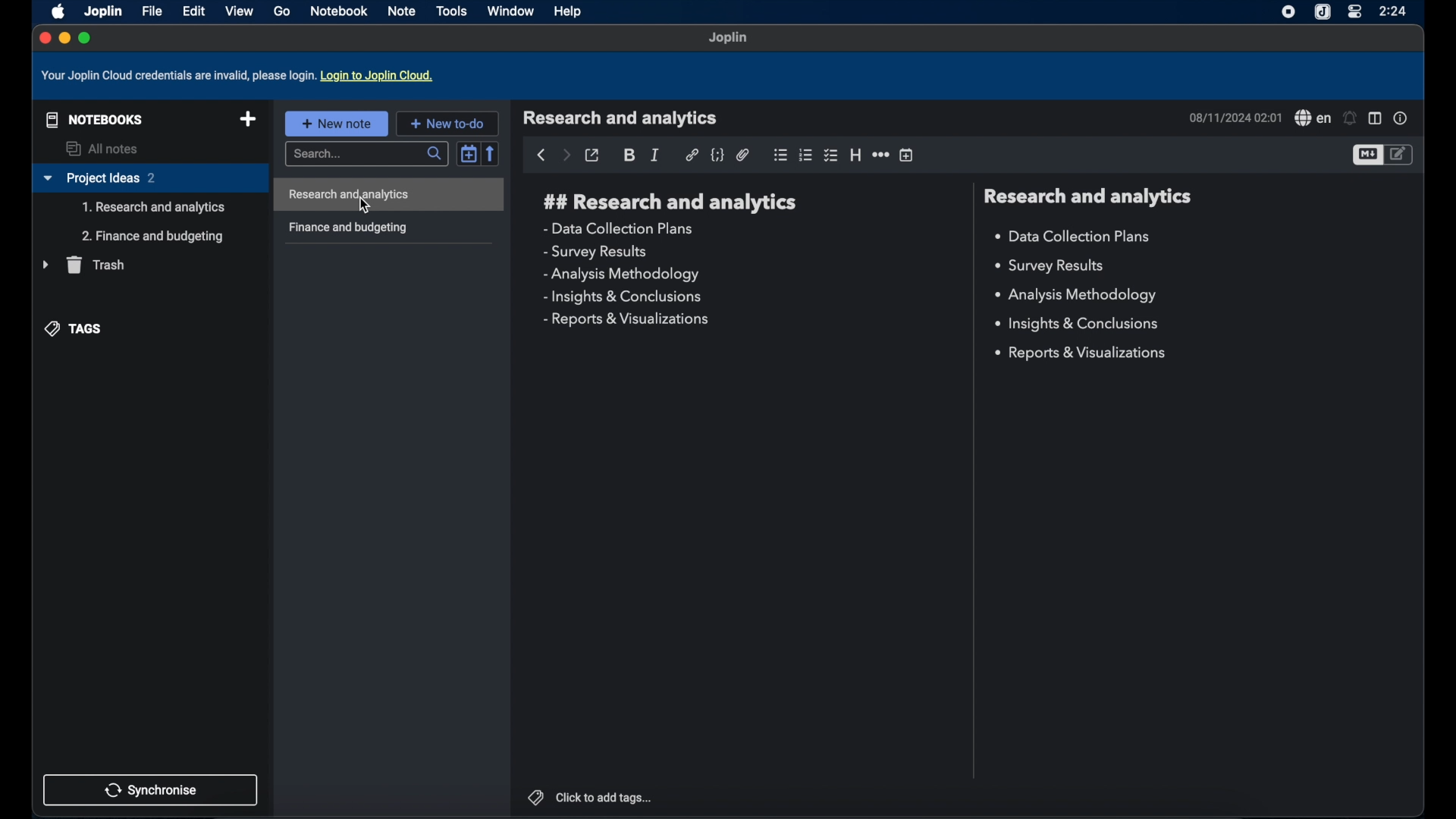 Image resolution: width=1456 pixels, height=819 pixels. I want to click on 08/11/2024 02:01, so click(1234, 118).